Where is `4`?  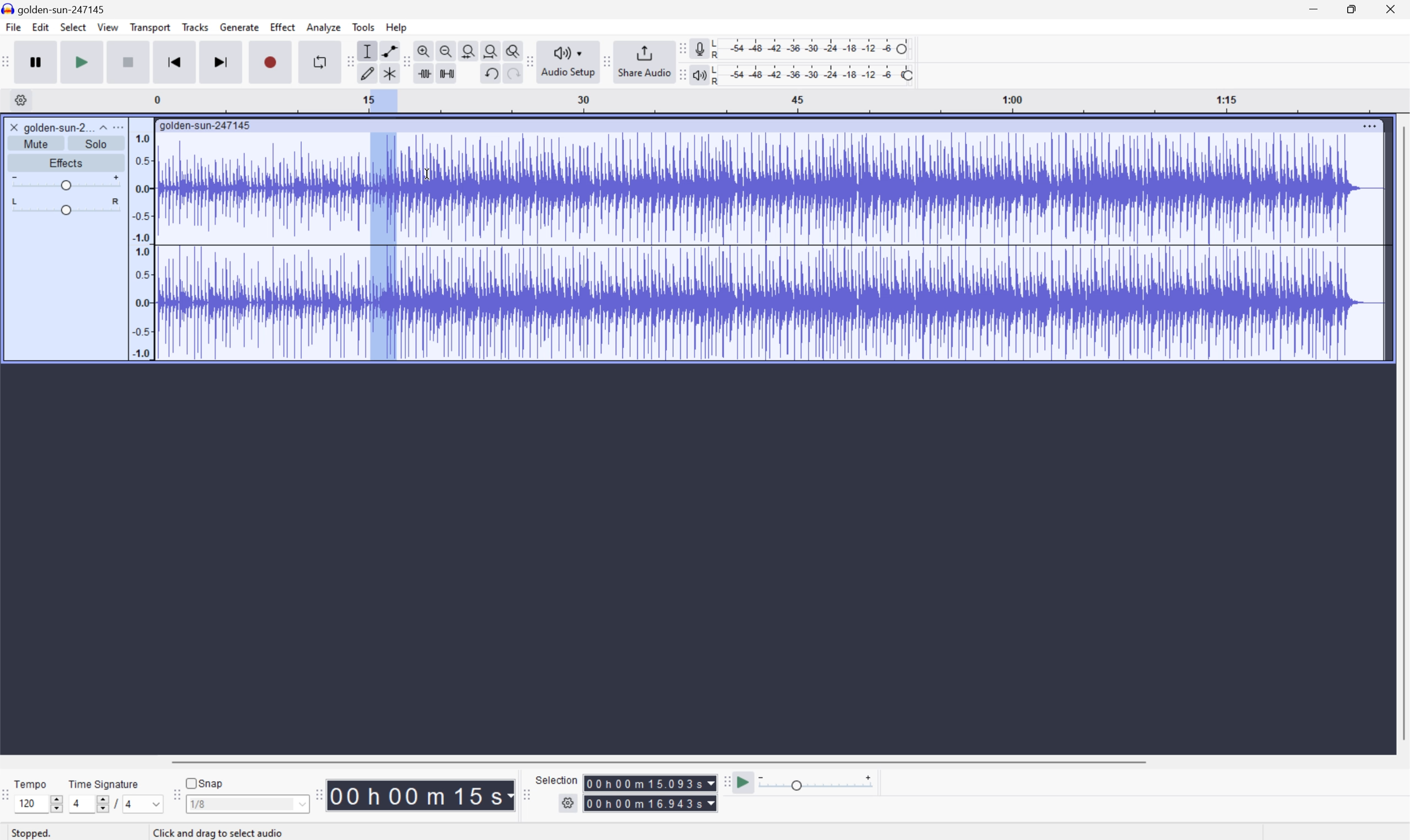 4 is located at coordinates (75, 804).